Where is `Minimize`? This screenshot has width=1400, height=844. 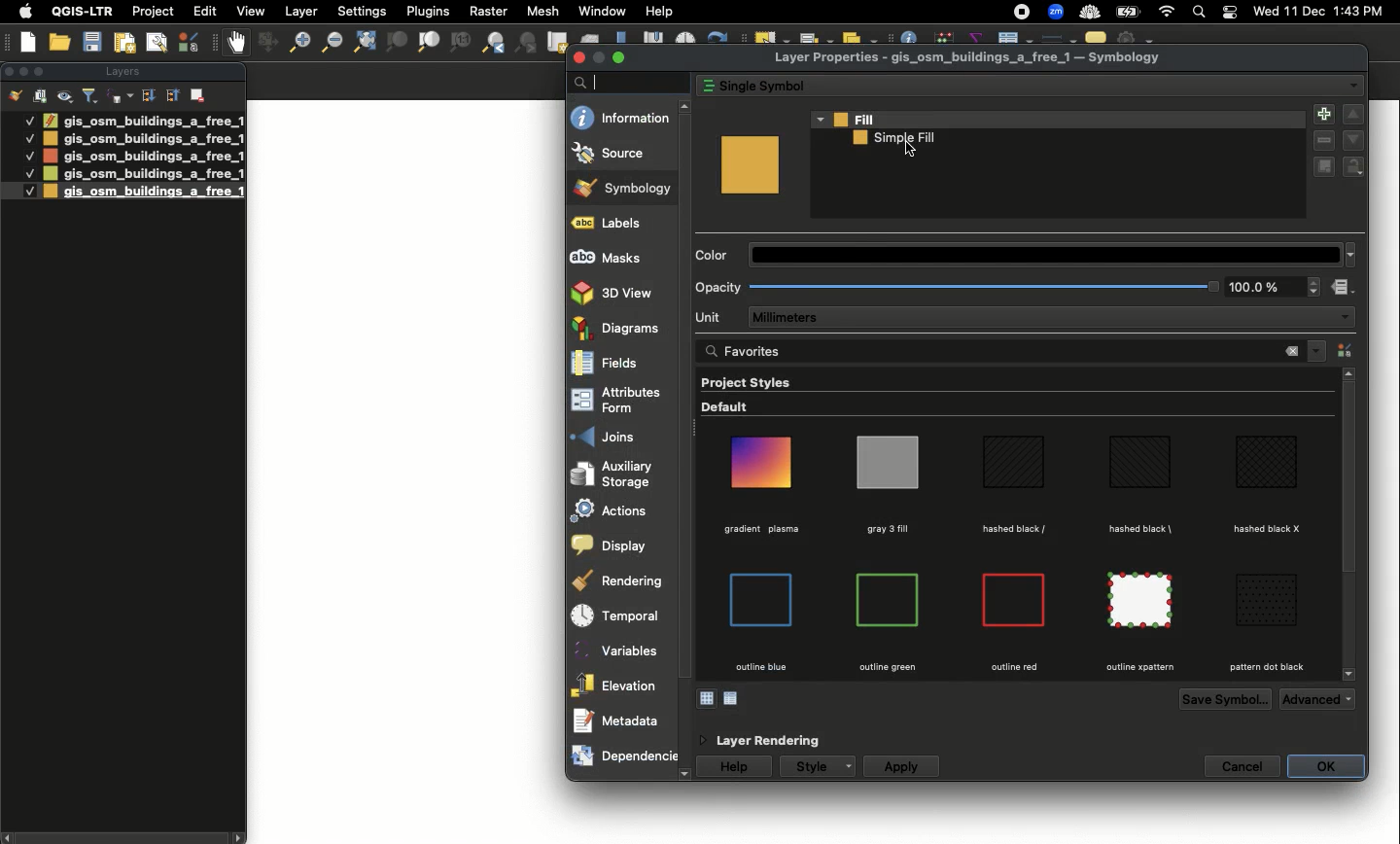
Minimize is located at coordinates (598, 57).